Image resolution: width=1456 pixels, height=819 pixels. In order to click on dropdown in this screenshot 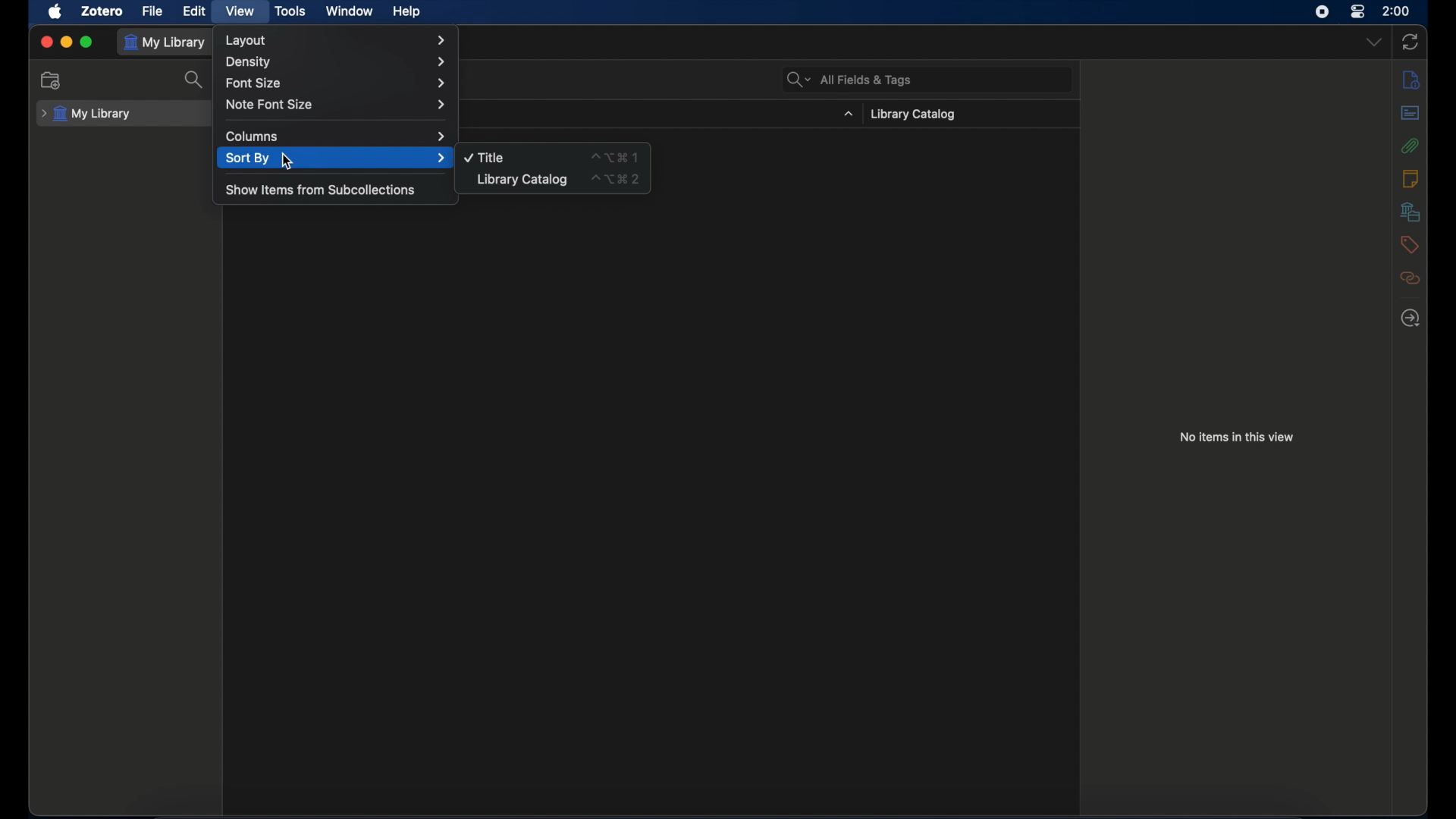, I will do `click(1374, 42)`.